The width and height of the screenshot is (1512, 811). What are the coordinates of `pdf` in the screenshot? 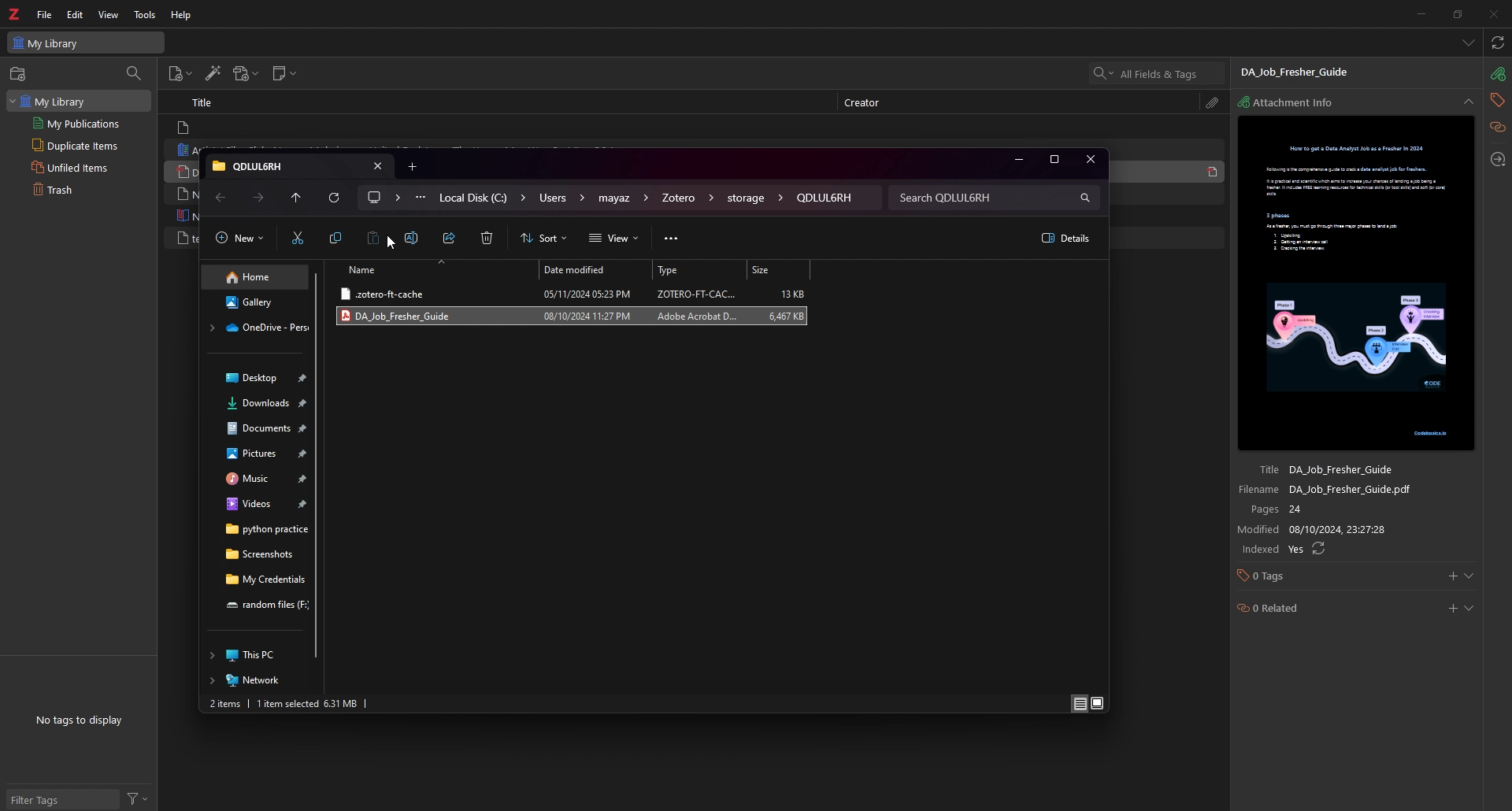 It's located at (1212, 172).